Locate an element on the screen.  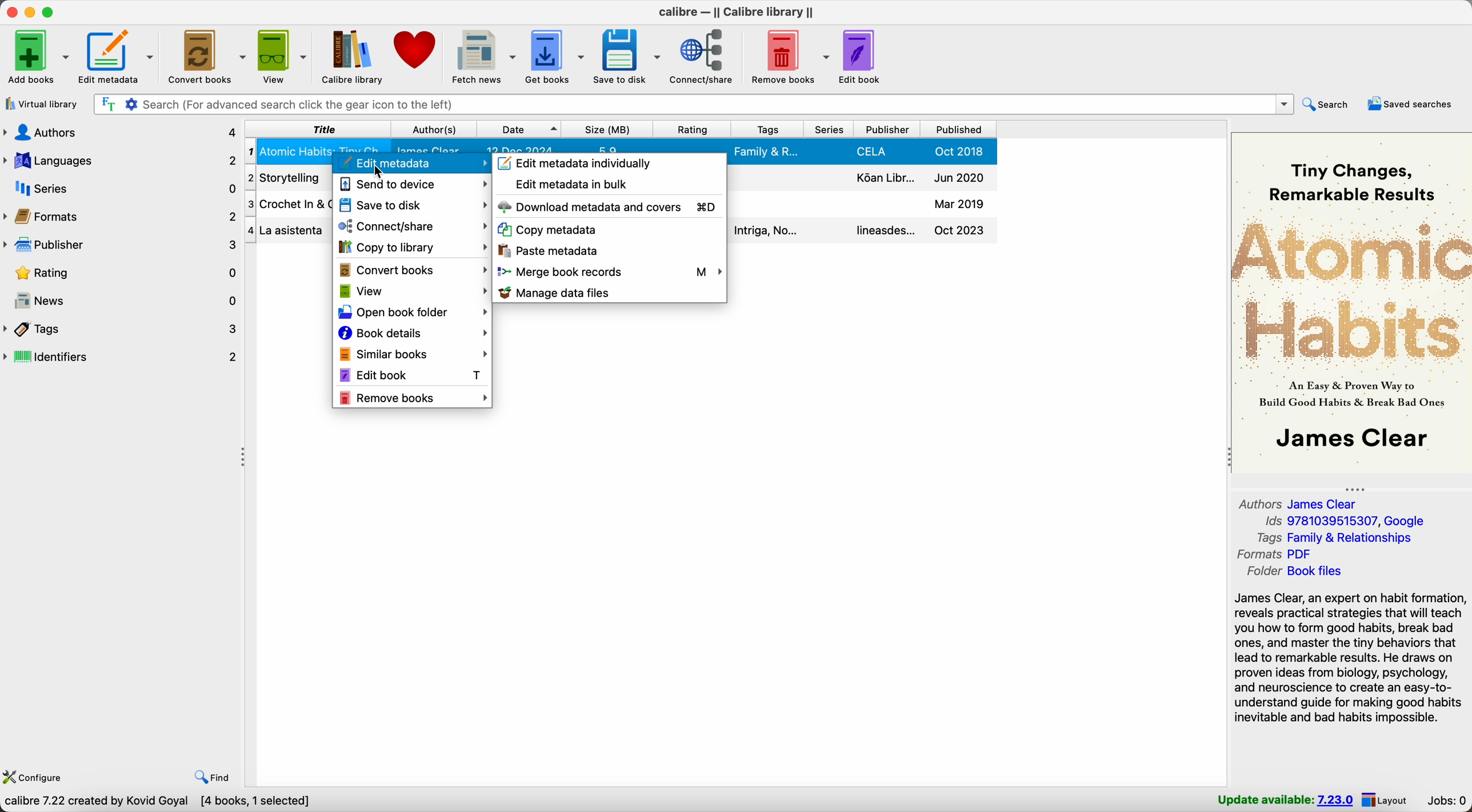
author(s) is located at coordinates (436, 129).